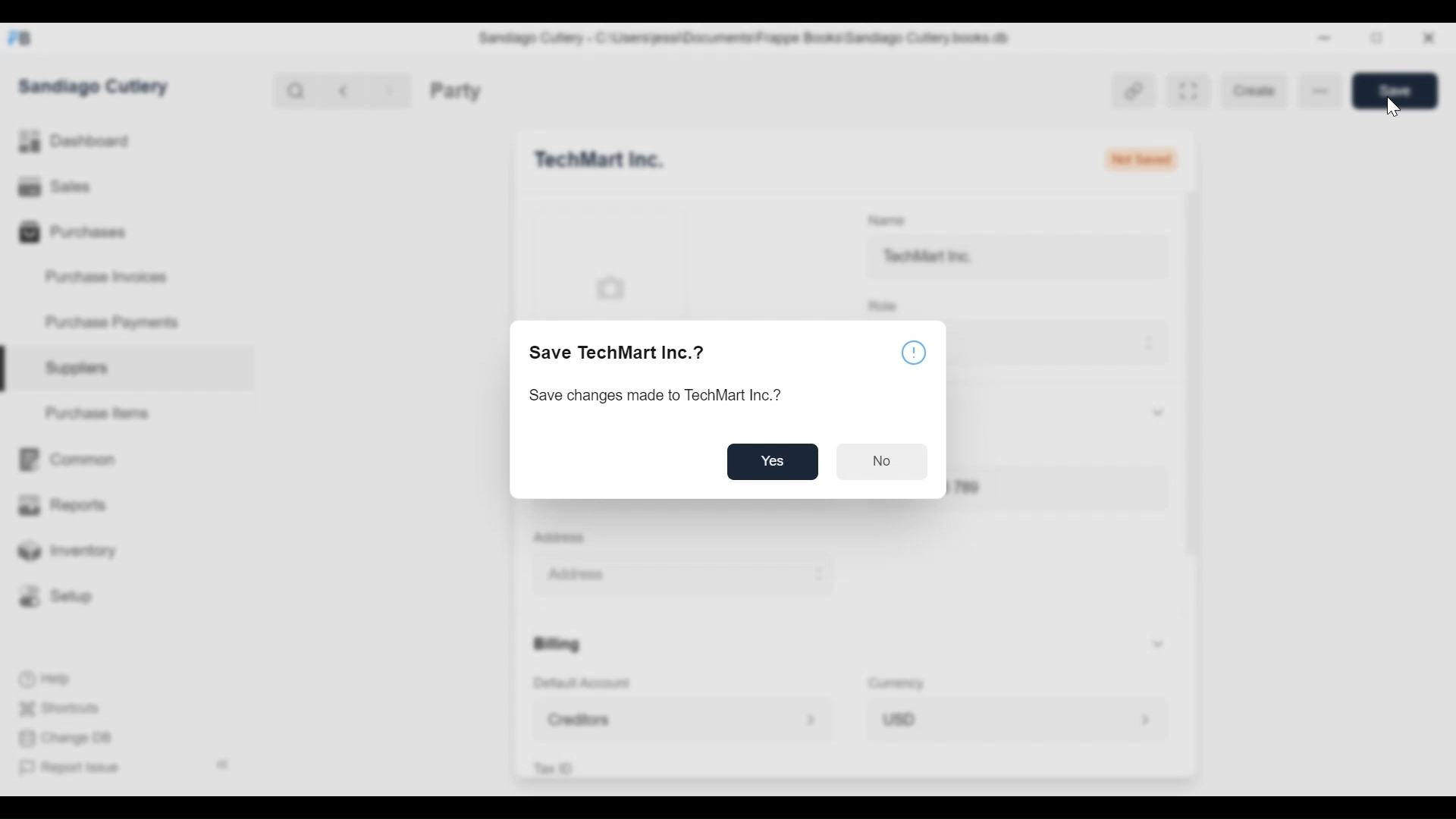  Describe the element at coordinates (620, 351) in the screenshot. I see `Save TechMart Inc.?` at that location.